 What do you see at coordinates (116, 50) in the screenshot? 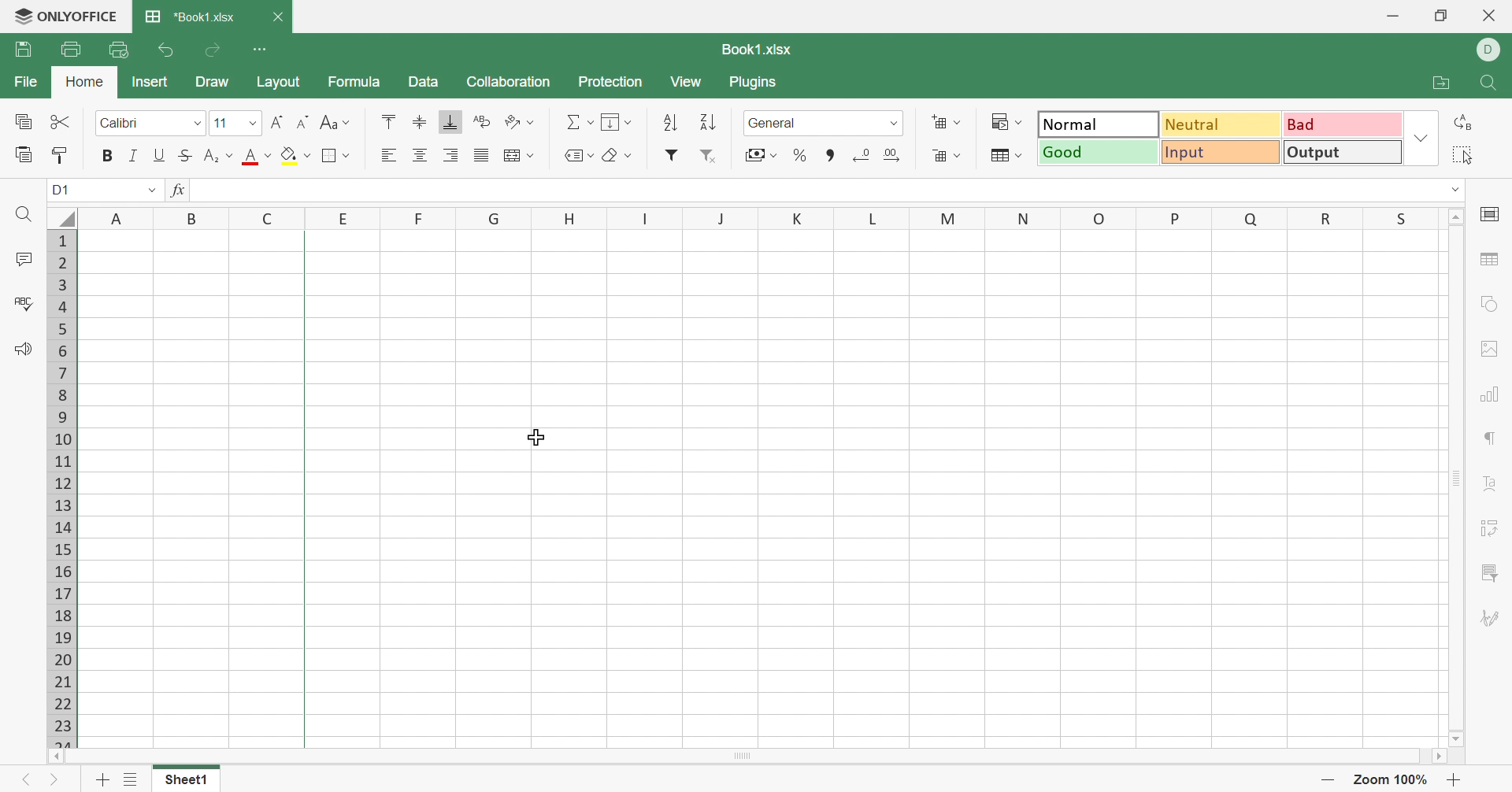
I see `Quick Print` at bounding box center [116, 50].